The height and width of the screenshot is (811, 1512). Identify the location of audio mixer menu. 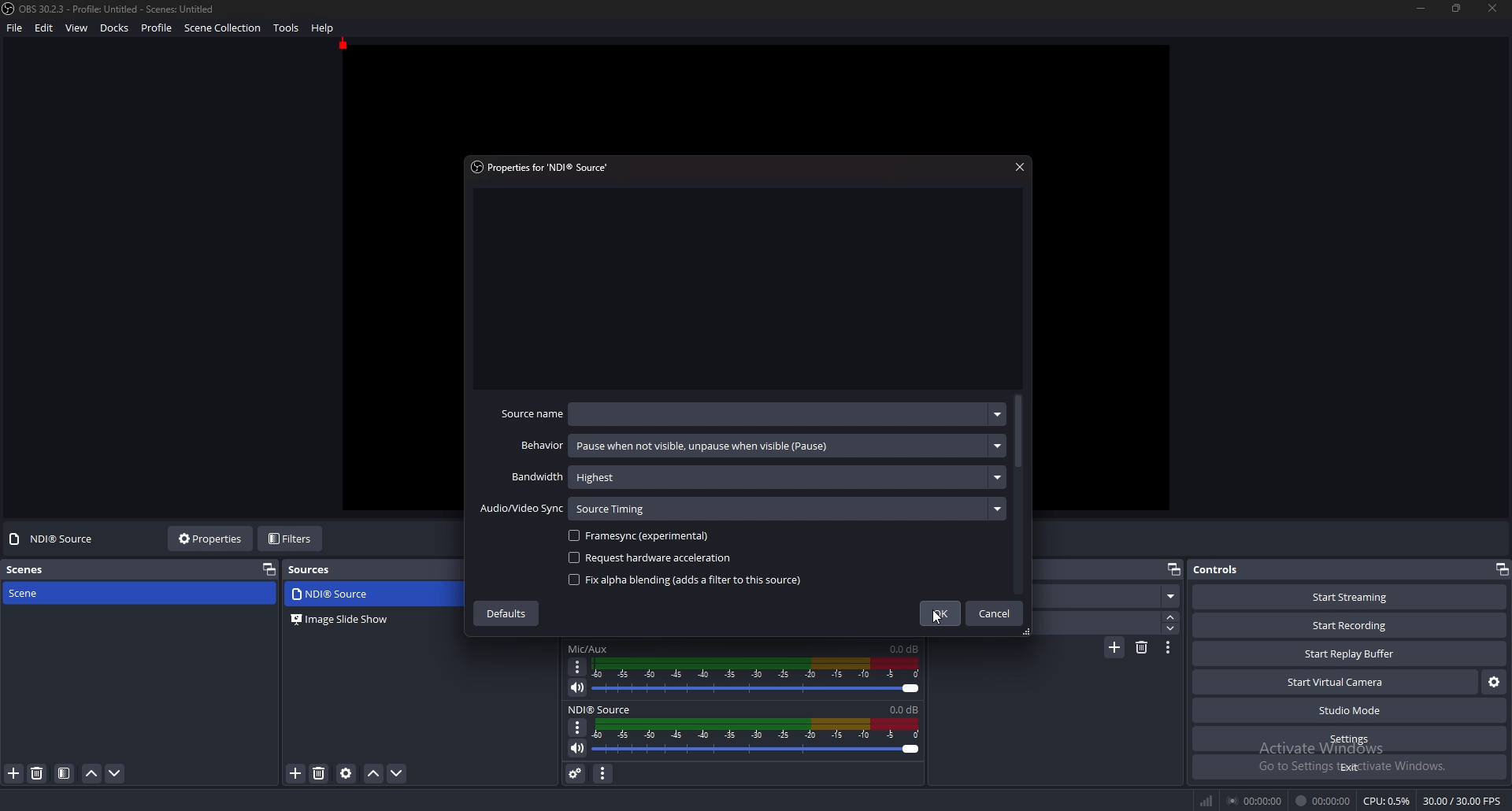
(602, 774).